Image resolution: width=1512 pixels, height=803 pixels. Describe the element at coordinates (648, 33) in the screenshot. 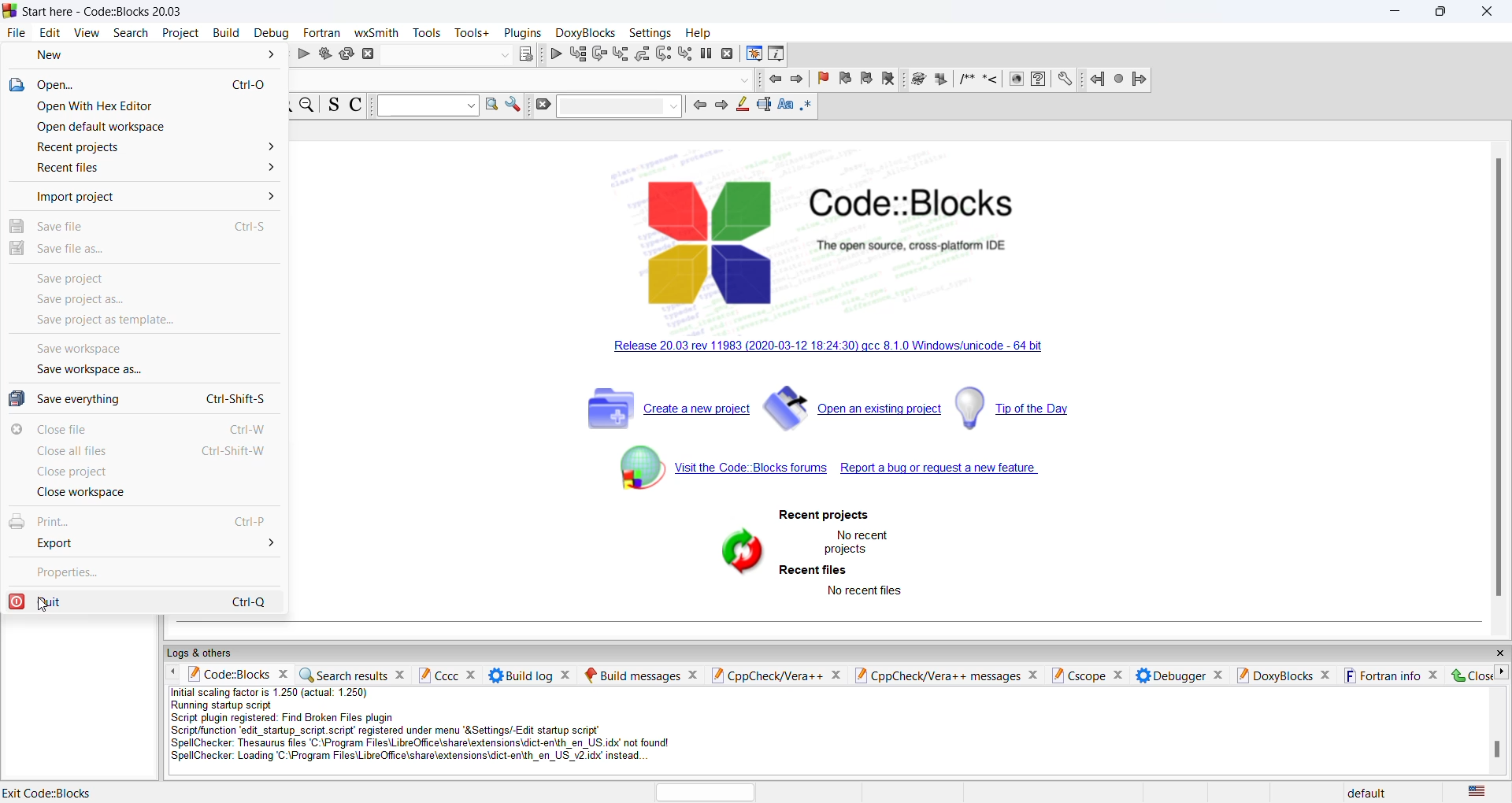

I see `settings` at that location.